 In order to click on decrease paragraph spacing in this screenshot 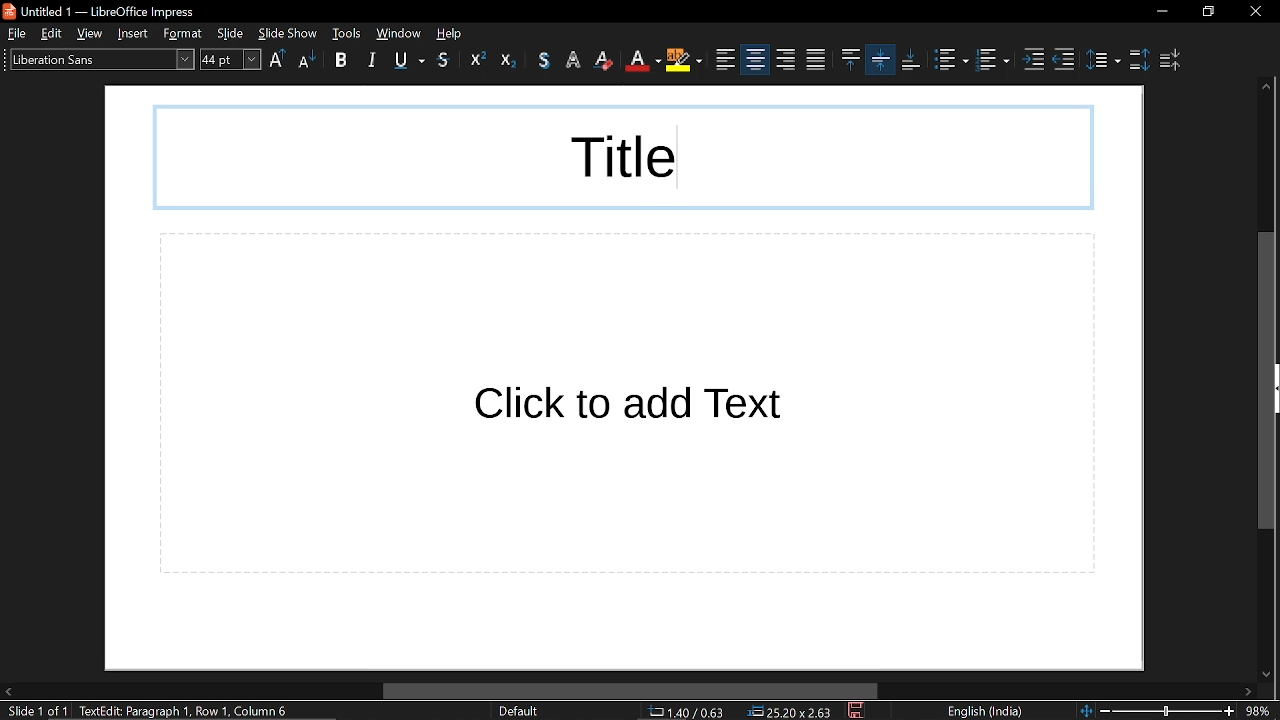, I will do `click(1173, 60)`.